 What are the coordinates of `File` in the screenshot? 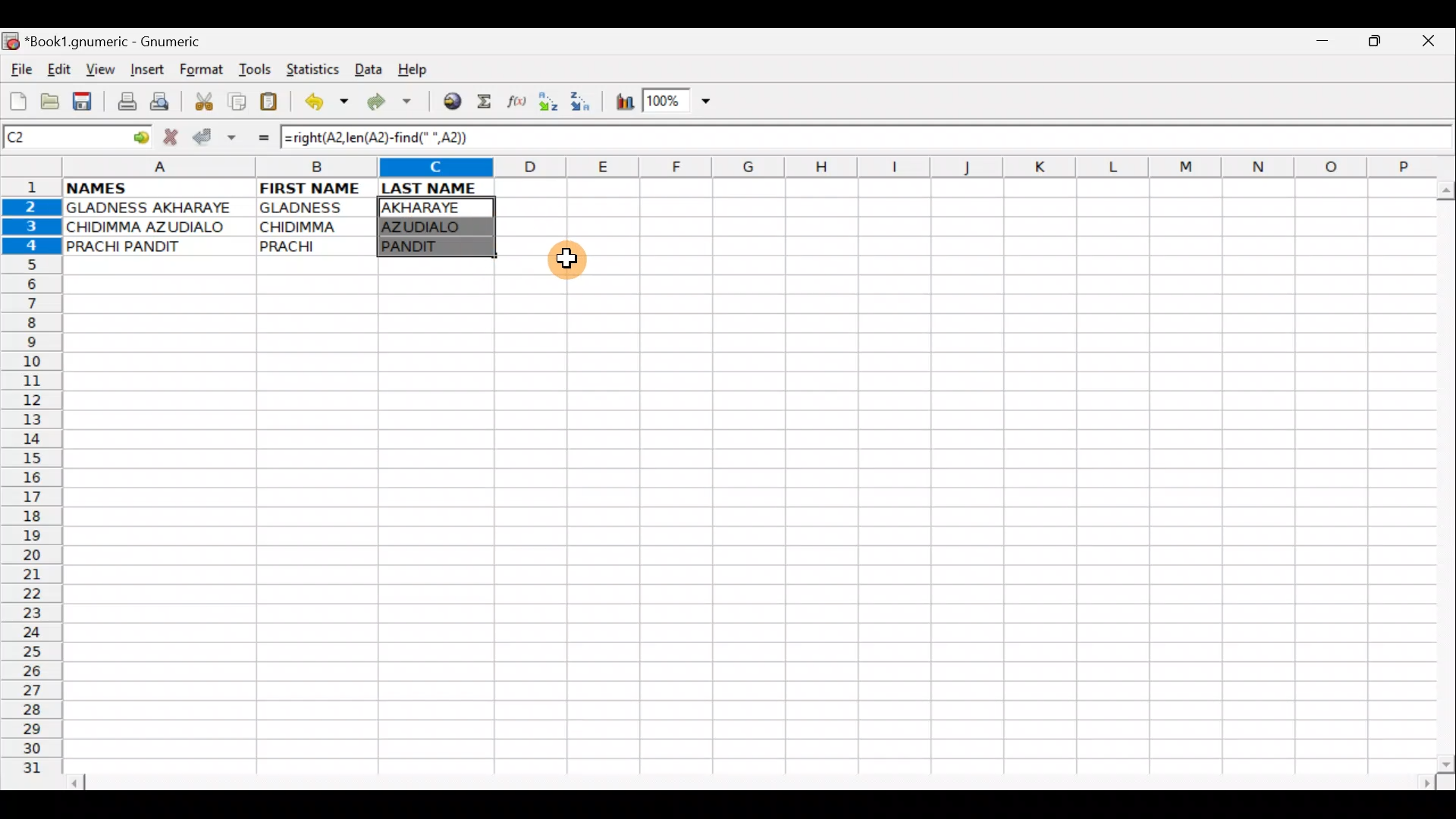 It's located at (20, 71).